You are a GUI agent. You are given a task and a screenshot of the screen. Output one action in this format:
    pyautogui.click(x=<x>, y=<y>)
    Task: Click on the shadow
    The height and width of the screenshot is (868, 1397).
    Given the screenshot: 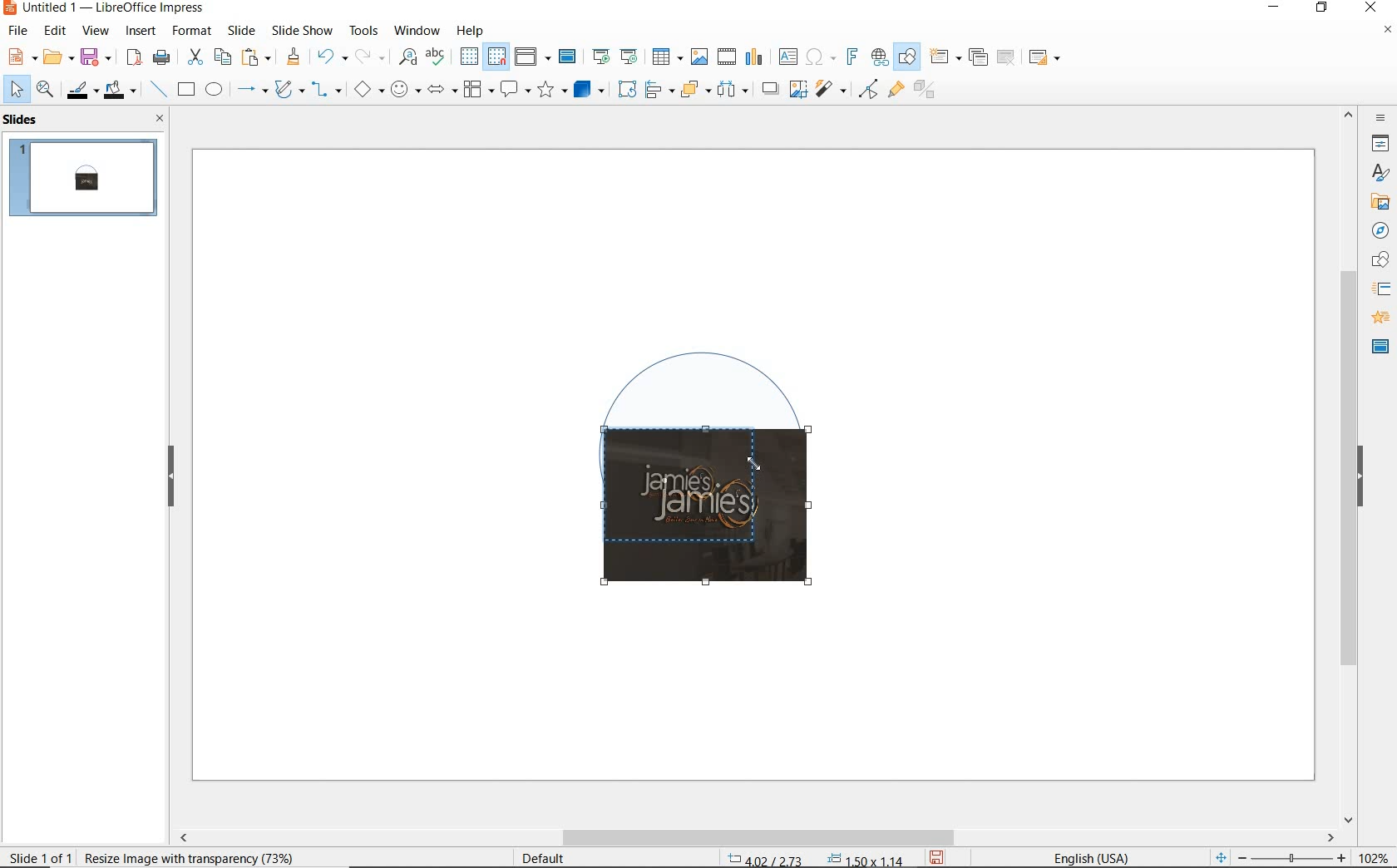 What is the action you would take?
    pyautogui.click(x=769, y=87)
    